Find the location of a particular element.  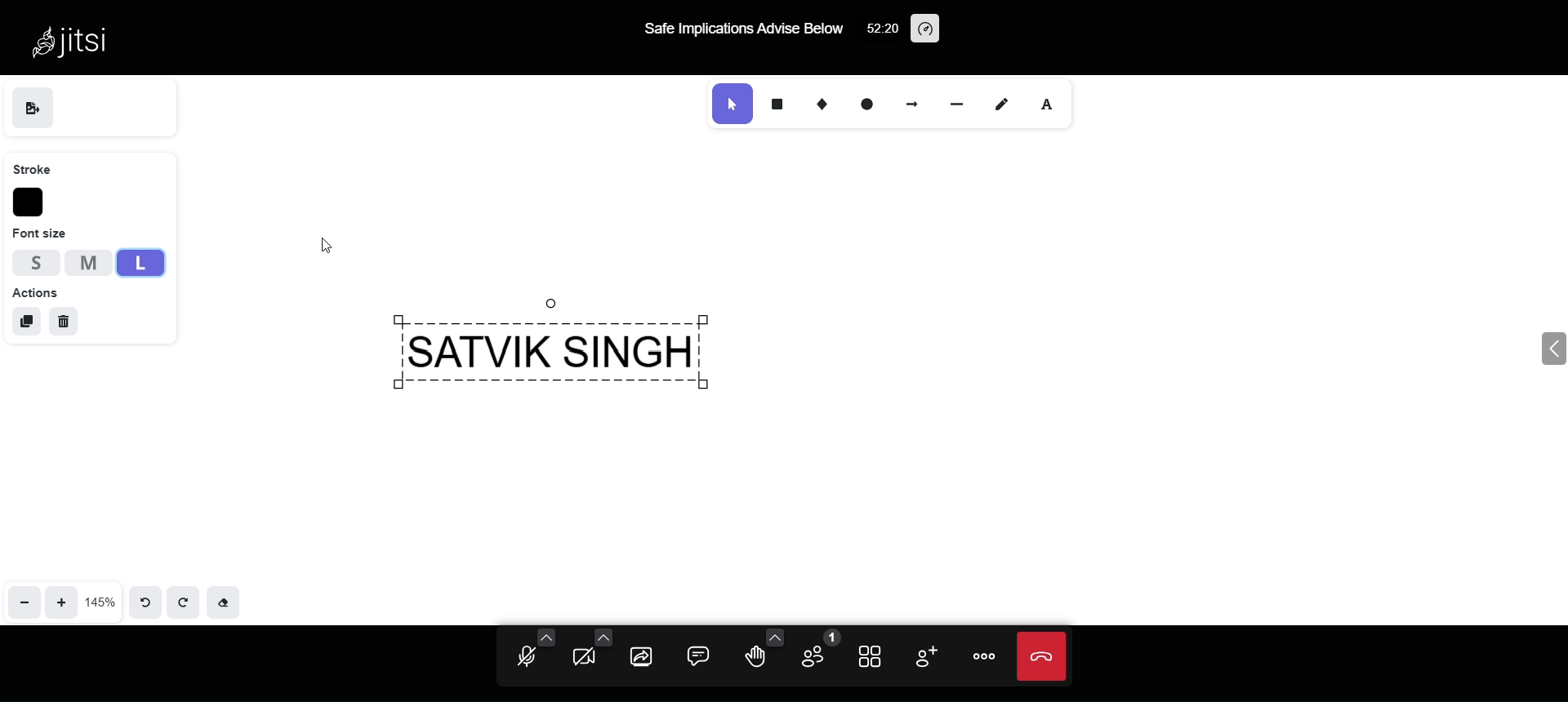

end call is located at coordinates (1039, 659).